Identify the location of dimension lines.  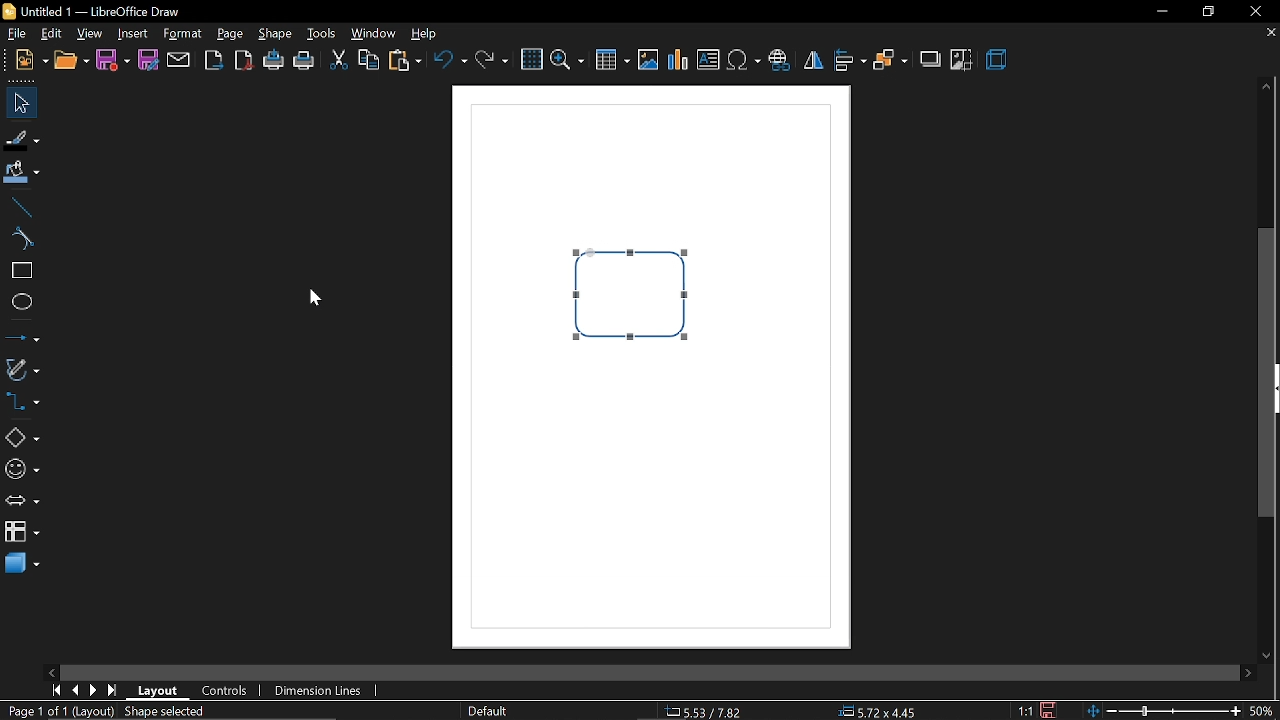
(319, 692).